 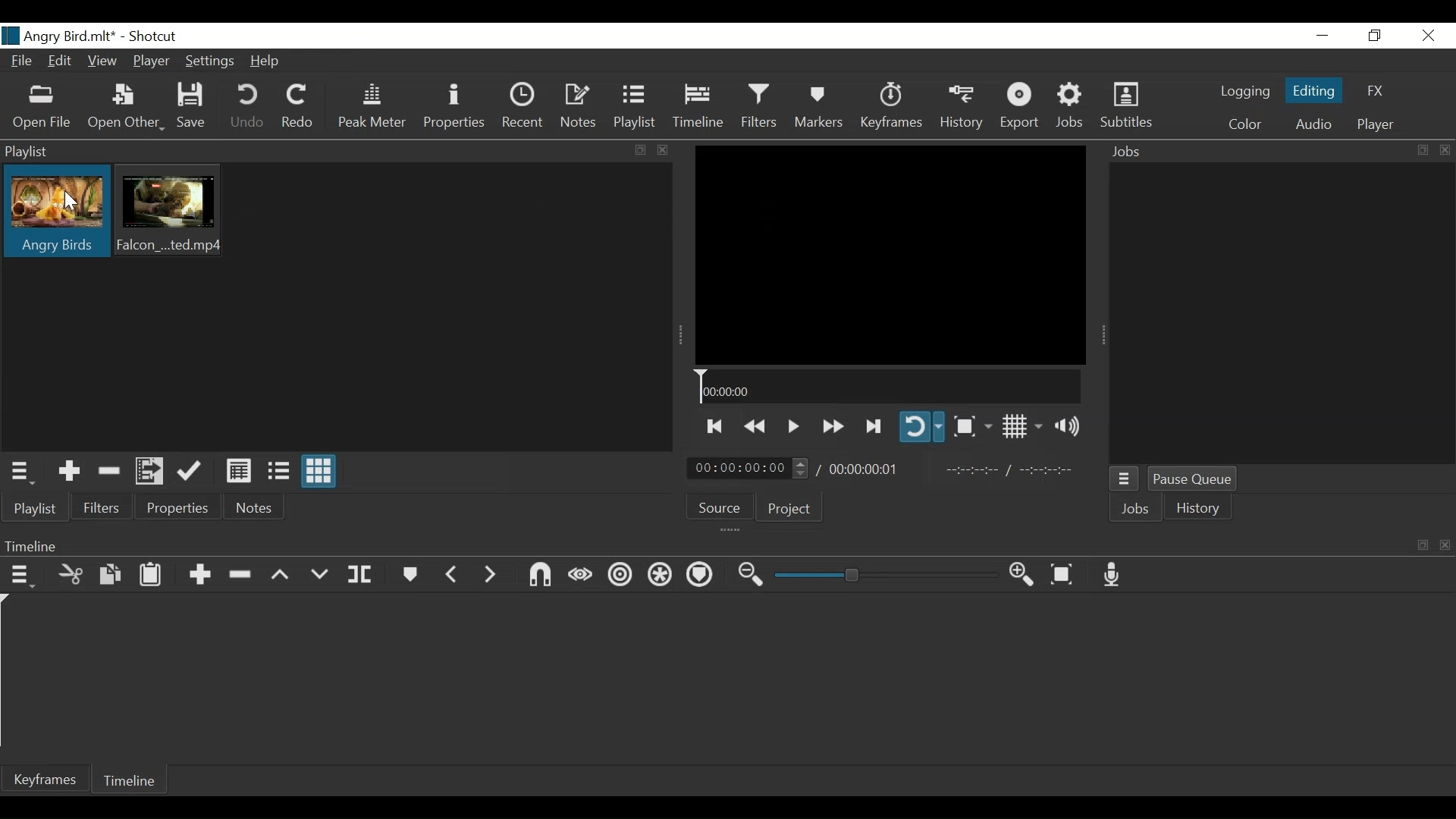 What do you see at coordinates (1323, 36) in the screenshot?
I see `Minimize` at bounding box center [1323, 36].